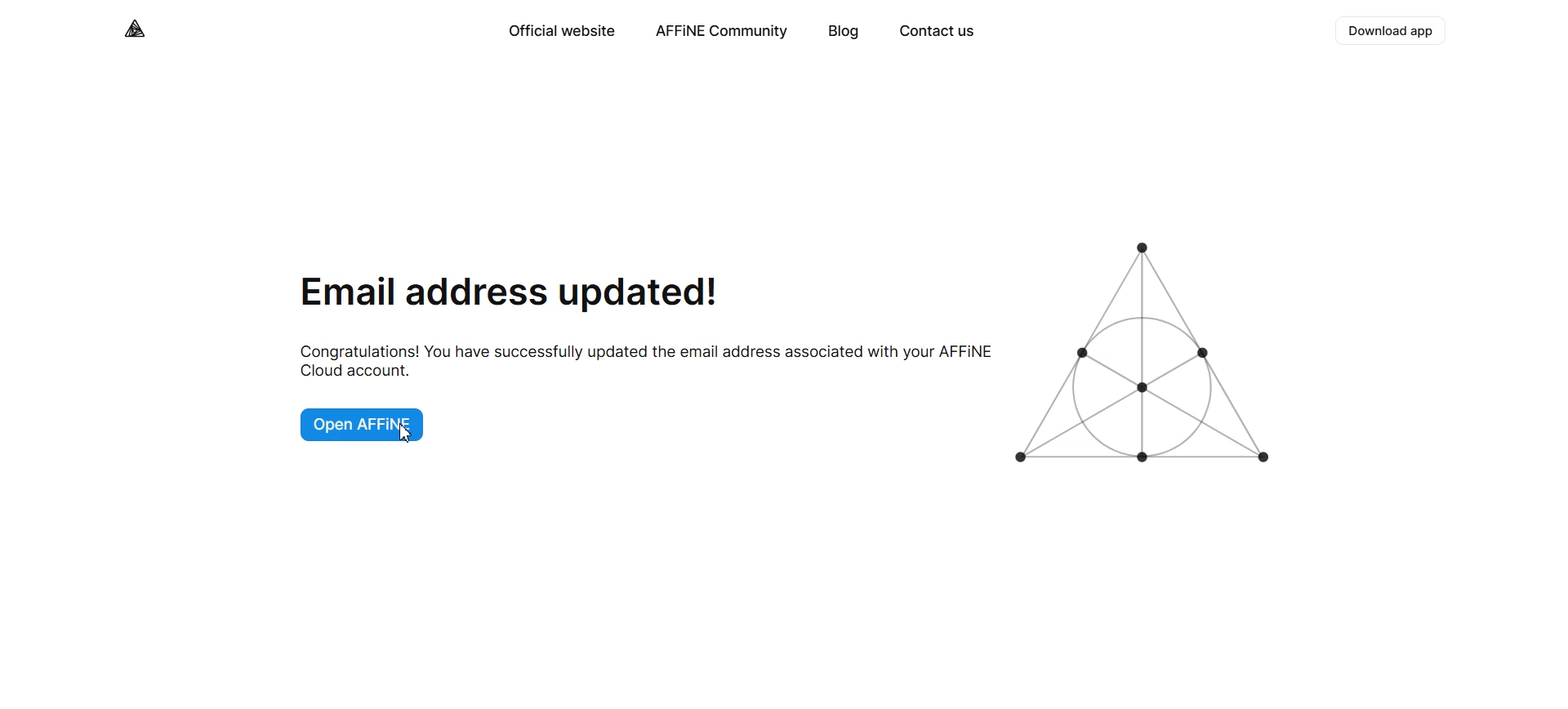  I want to click on Download app, so click(1392, 31).